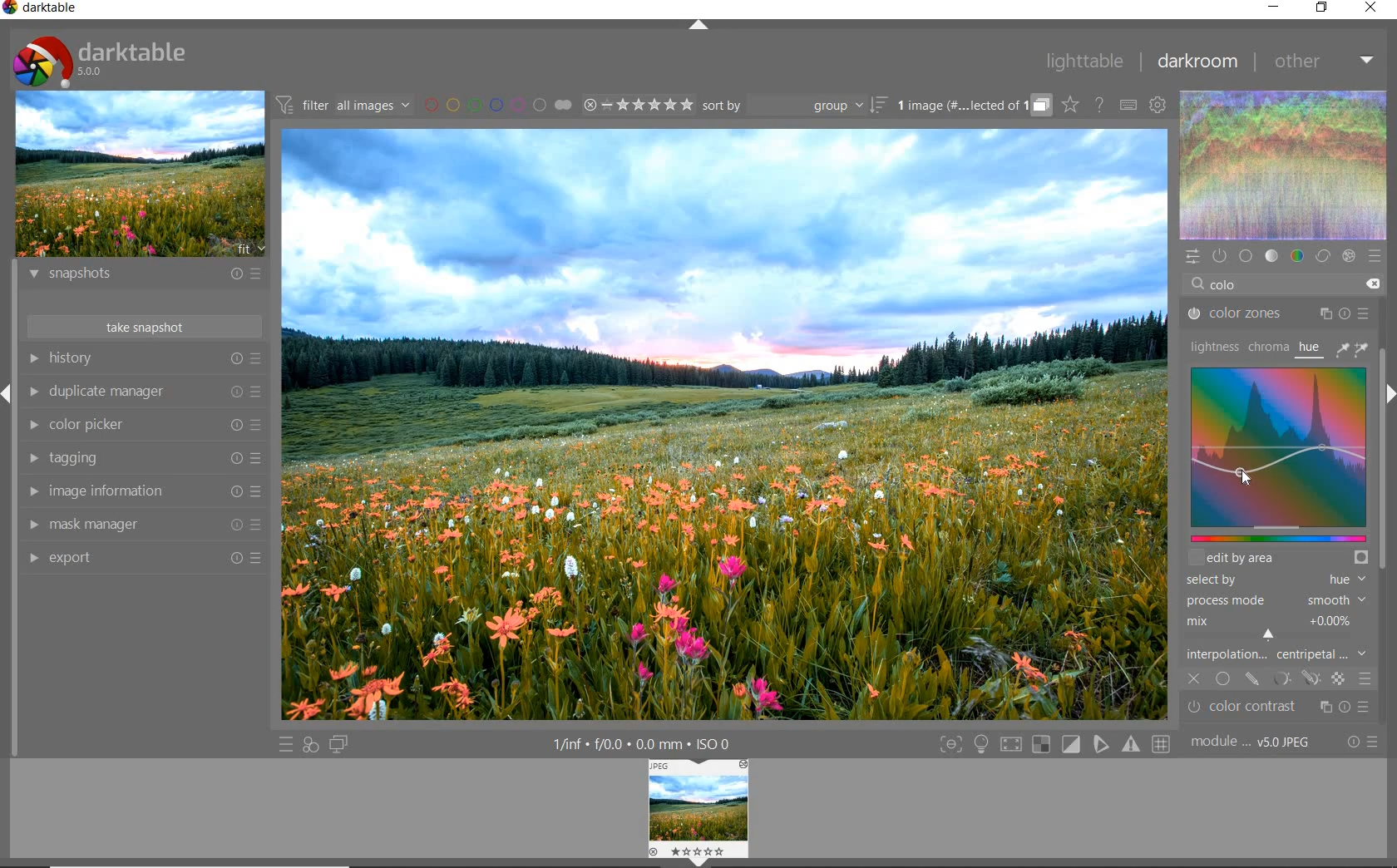 The width and height of the screenshot is (1397, 868). Describe the element at coordinates (1278, 557) in the screenshot. I see `edit by area` at that location.